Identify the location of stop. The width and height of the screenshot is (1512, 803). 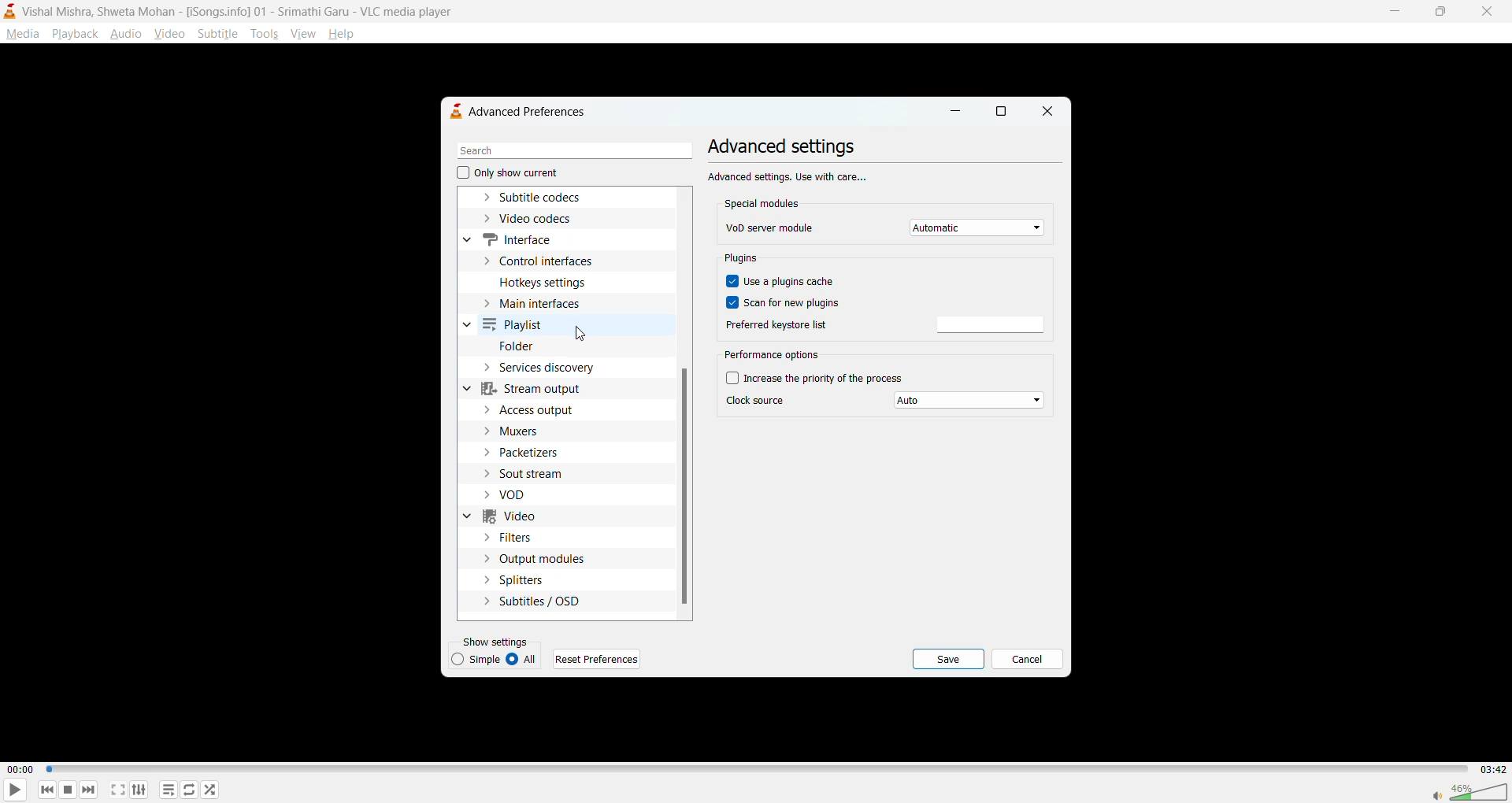
(65, 790).